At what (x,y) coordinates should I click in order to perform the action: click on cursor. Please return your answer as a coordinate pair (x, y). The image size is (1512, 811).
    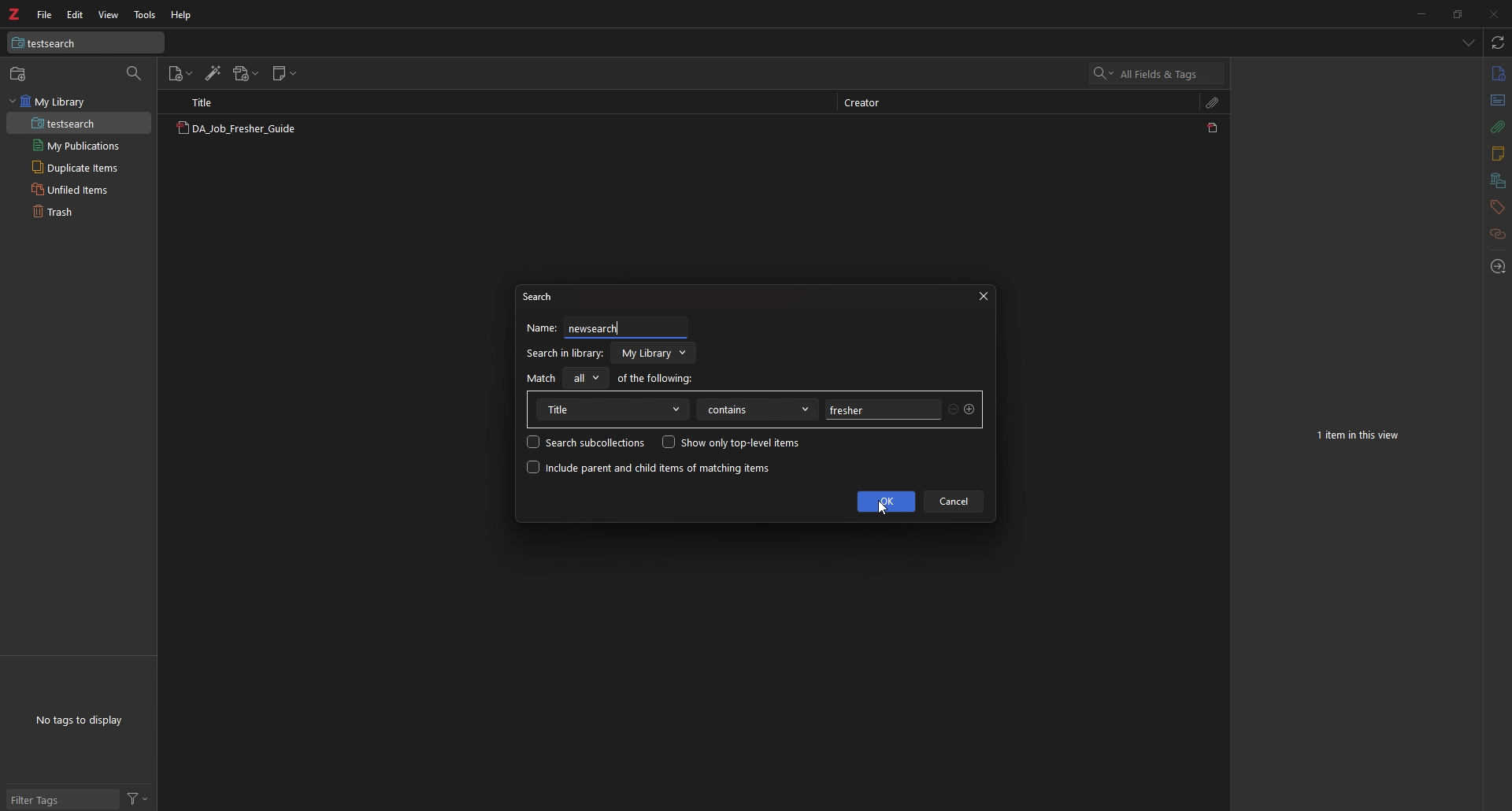
    Looking at the image, I should click on (882, 508).